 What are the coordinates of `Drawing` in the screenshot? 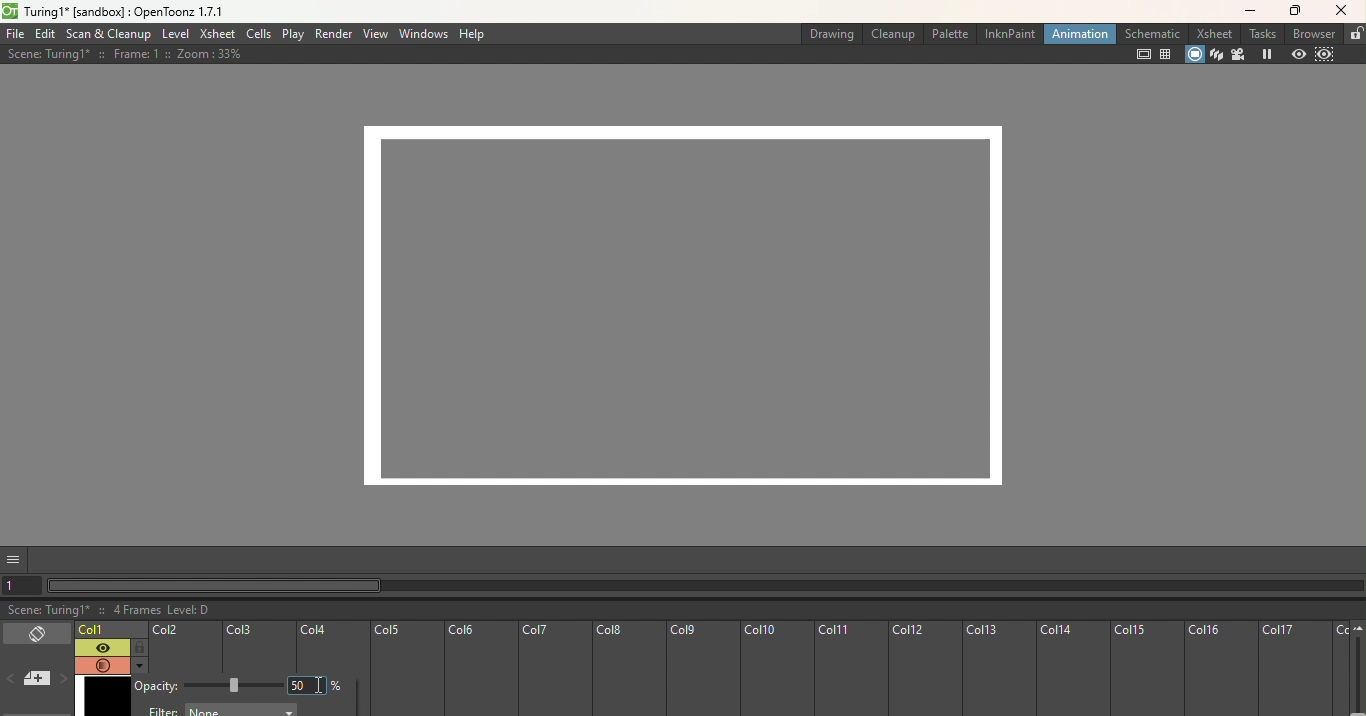 It's located at (828, 32).